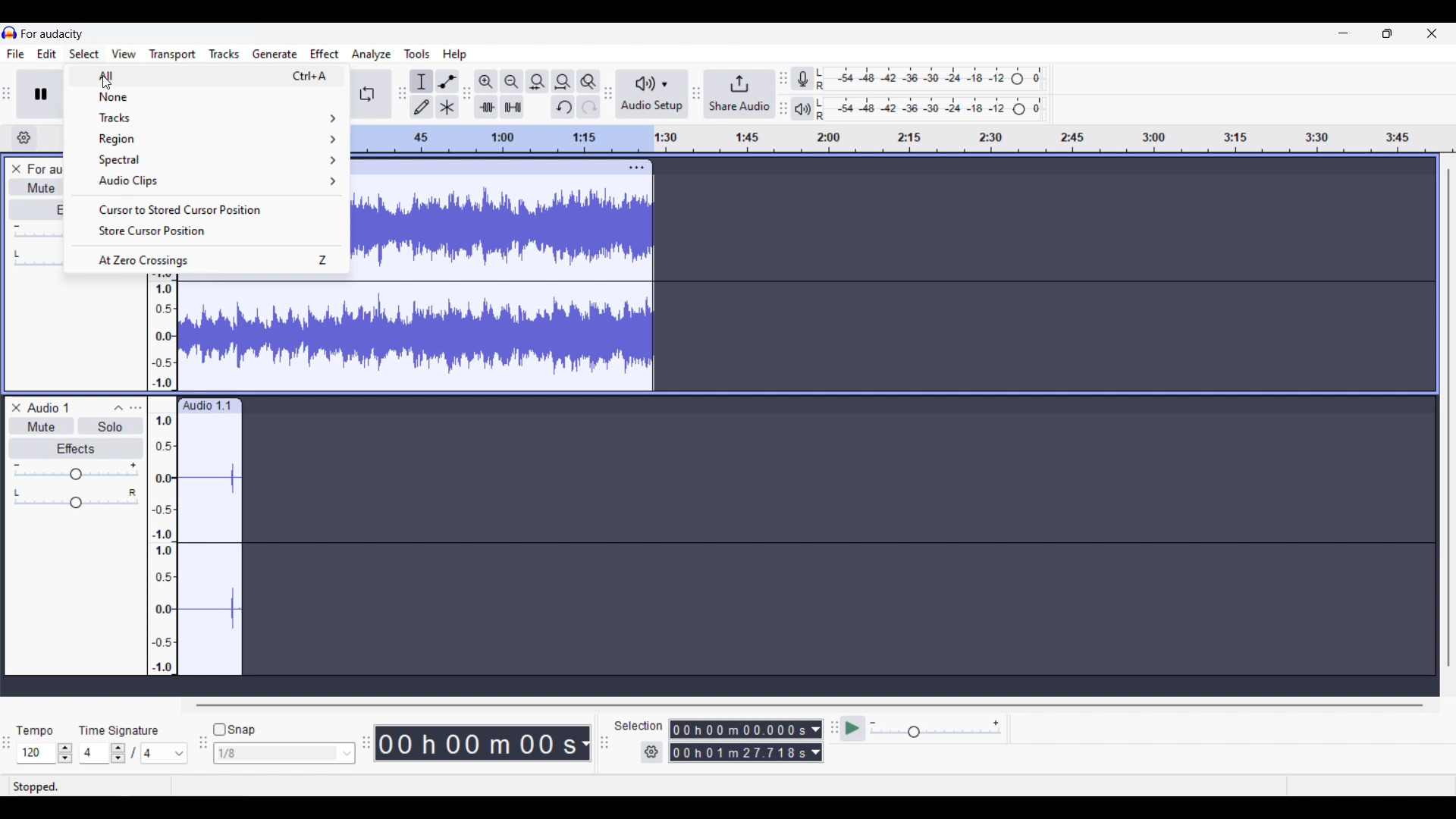 The width and height of the screenshot is (1456, 819). What do you see at coordinates (370, 55) in the screenshot?
I see `Analyze ` at bounding box center [370, 55].